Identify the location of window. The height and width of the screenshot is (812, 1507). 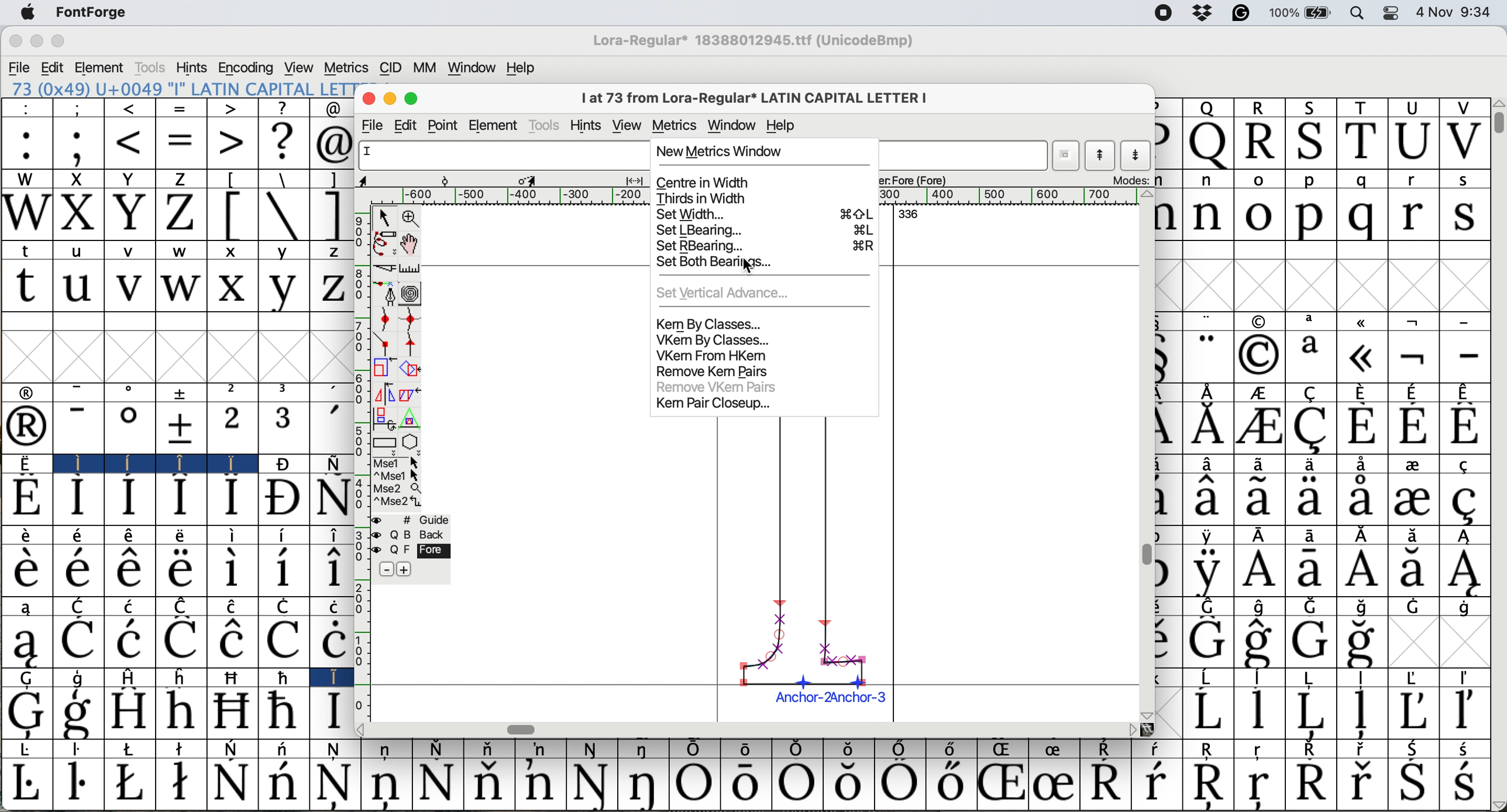
(472, 68).